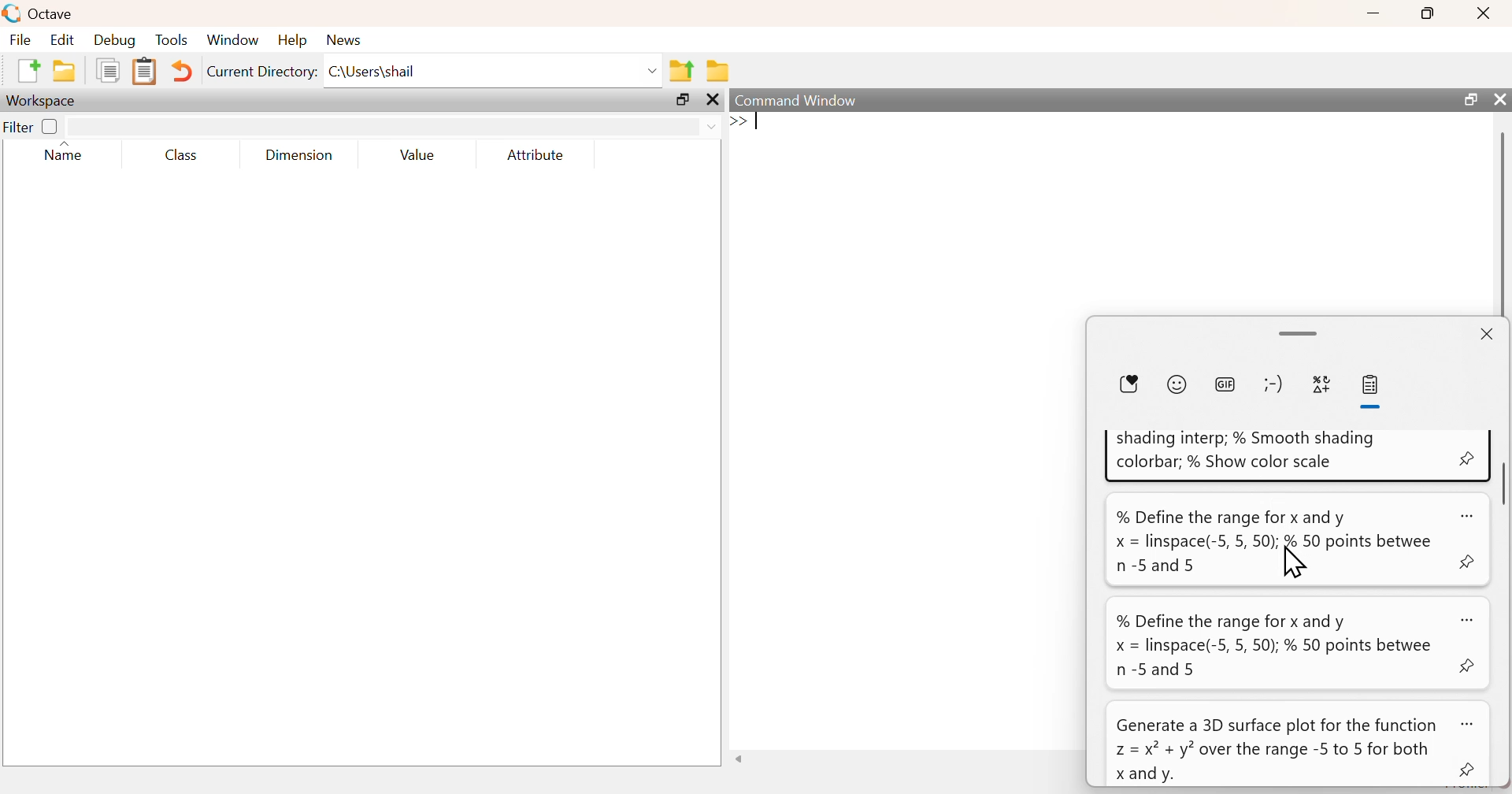 The height and width of the screenshot is (794, 1512). Describe the element at coordinates (537, 154) in the screenshot. I see `Attribute` at that location.